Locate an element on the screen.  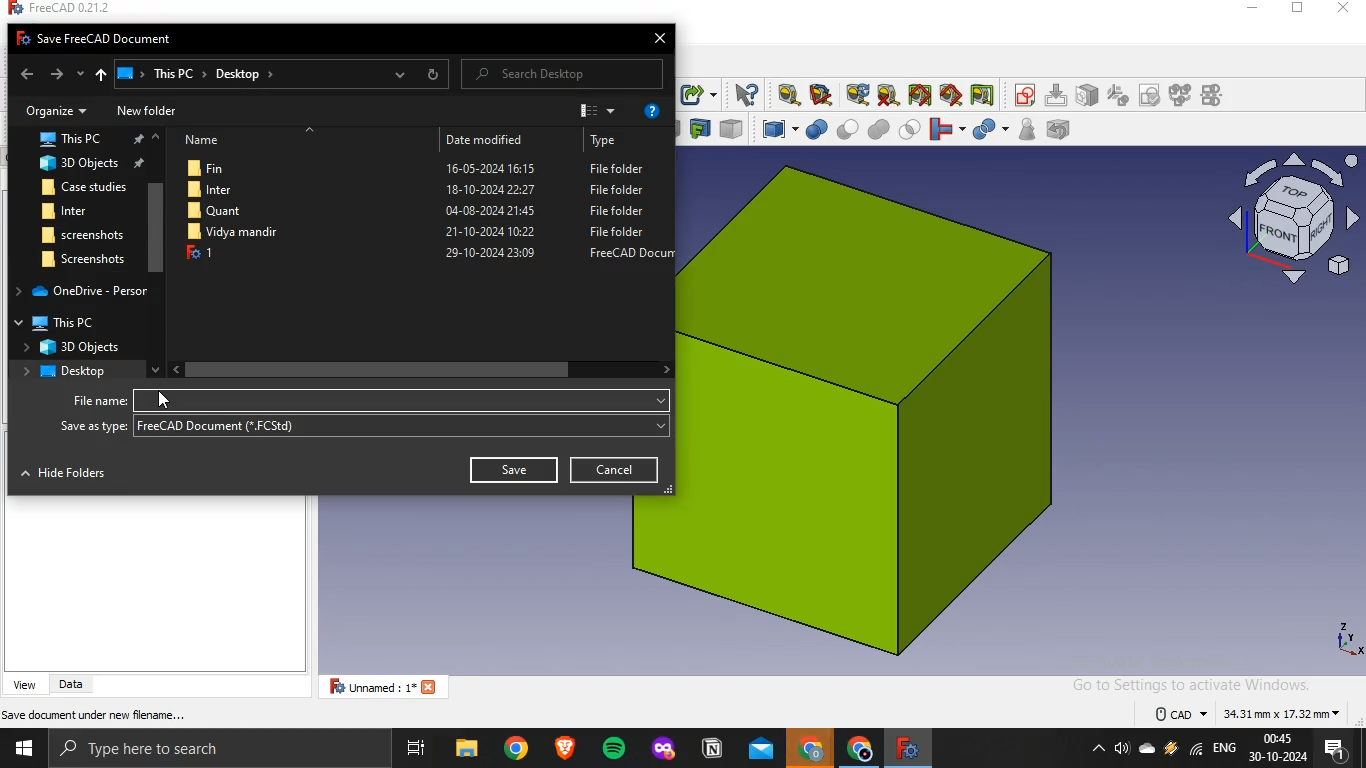
 file is located at coordinates (415, 233).